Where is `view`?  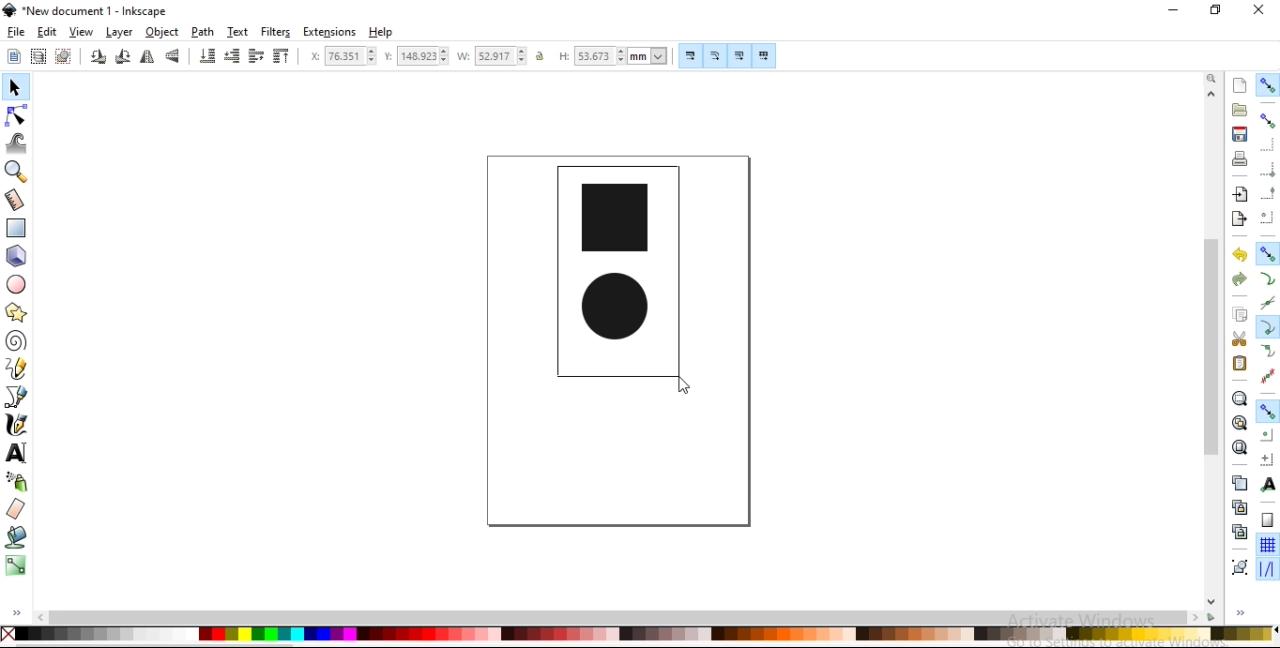
view is located at coordinates (80, 32).